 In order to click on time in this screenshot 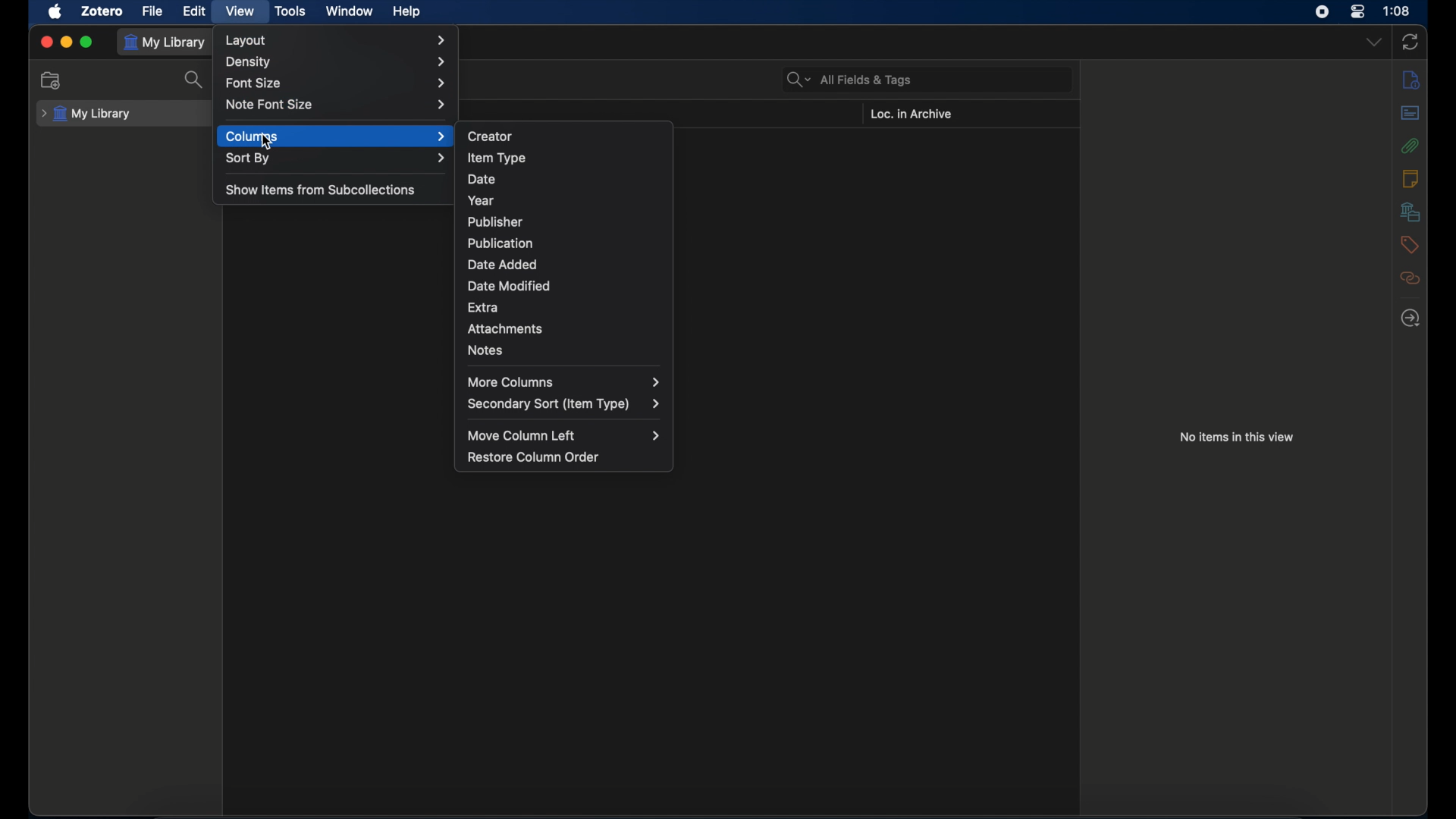, I will do `click(1397, 11)`.